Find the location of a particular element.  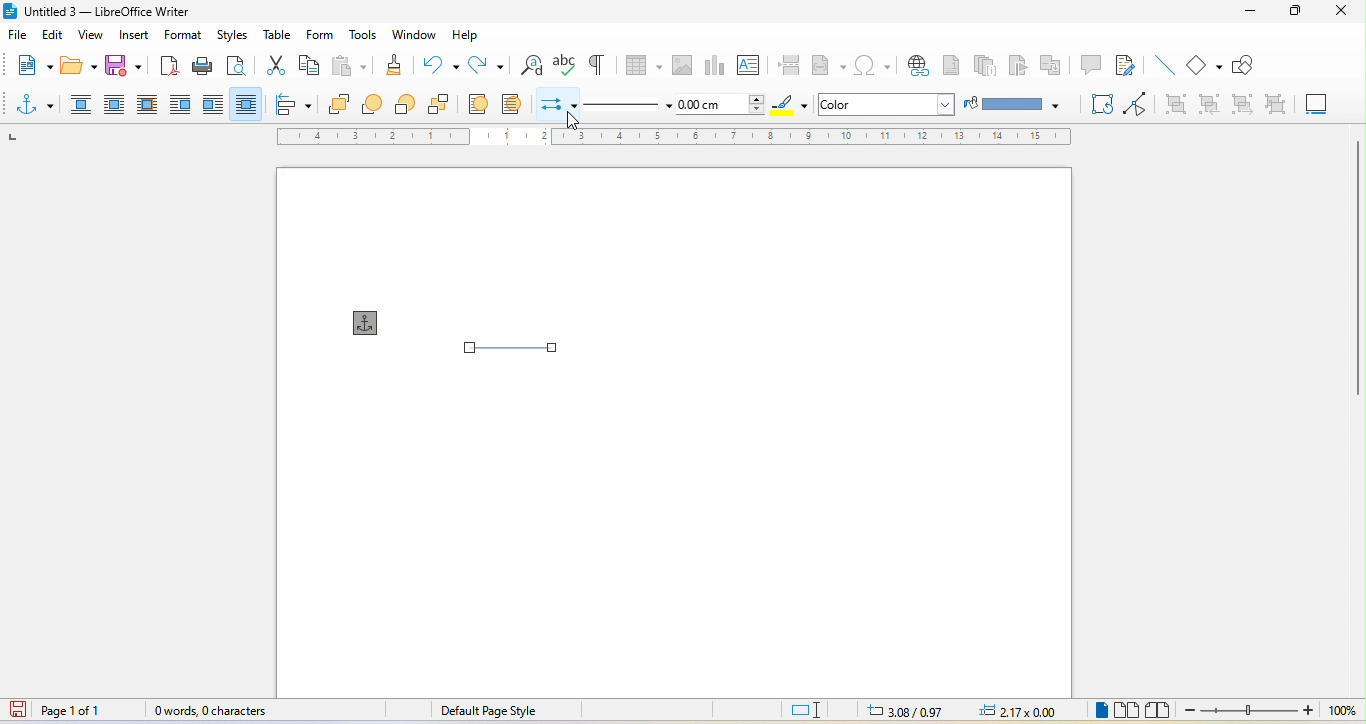

show track changes function is located at coordinates (1133, 67).